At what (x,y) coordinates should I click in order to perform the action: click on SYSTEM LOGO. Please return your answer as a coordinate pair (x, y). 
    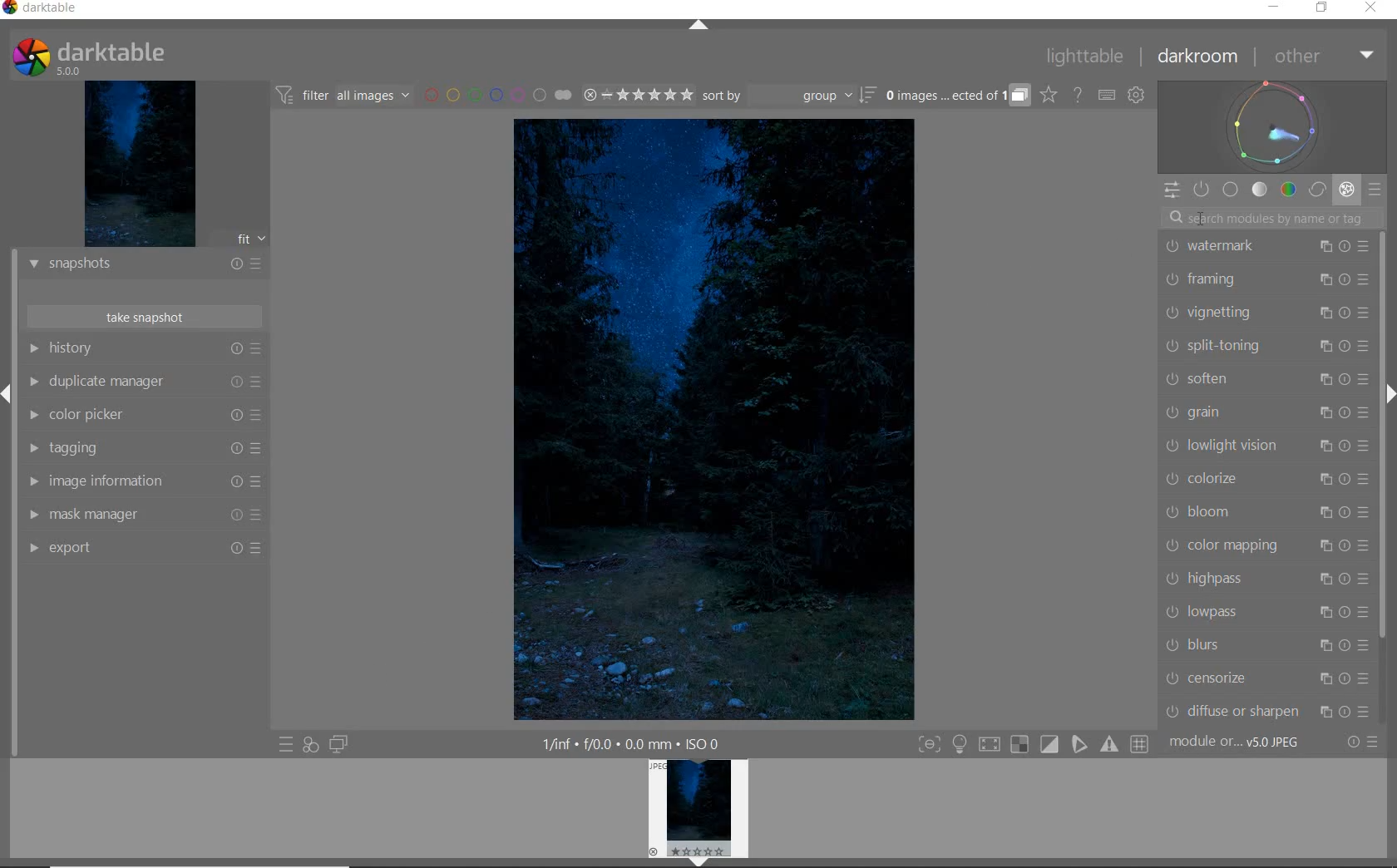
    Looking at the image, I should click on (91, 55).